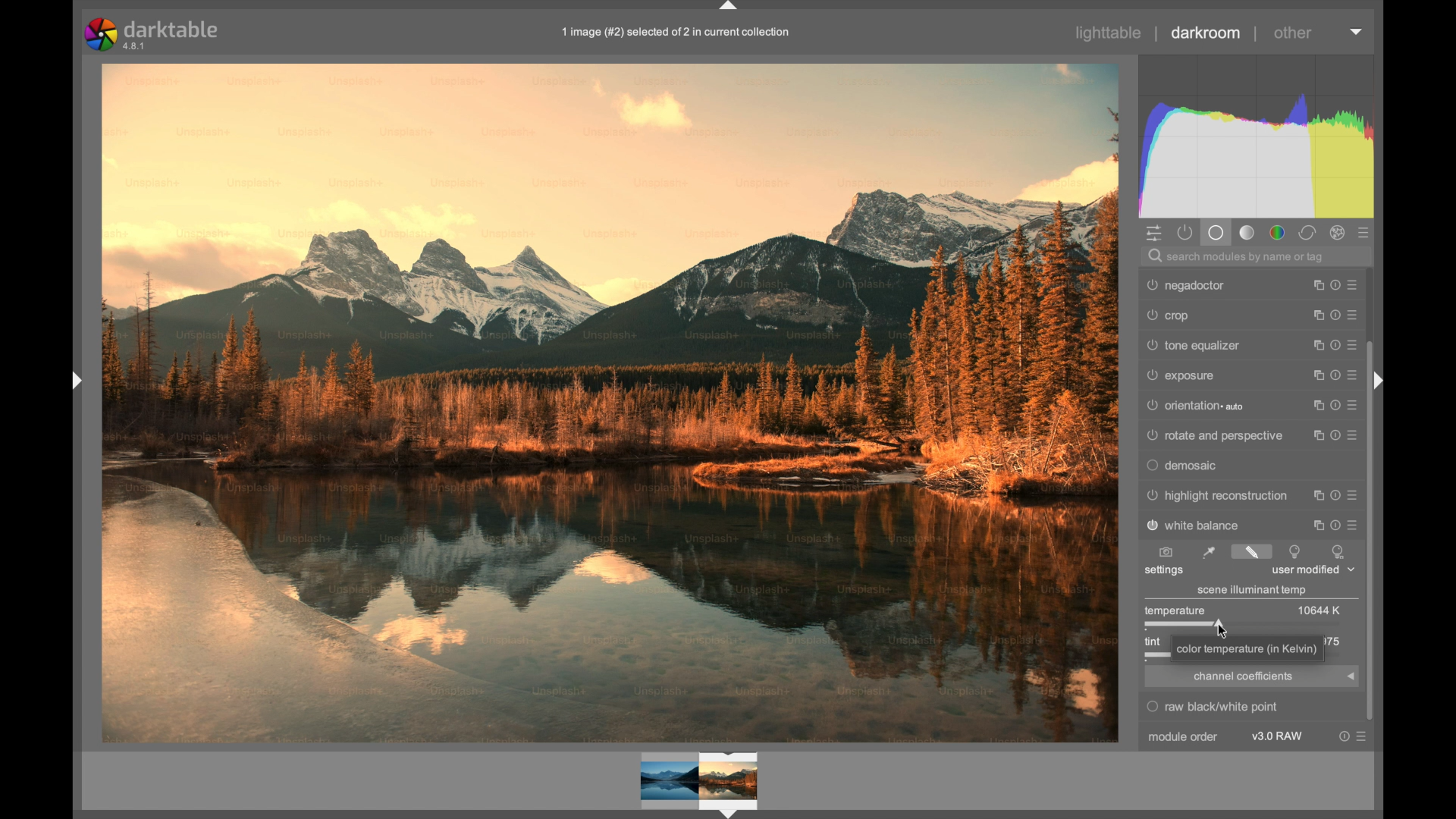  I want to click on presets, so click(1363, 736).